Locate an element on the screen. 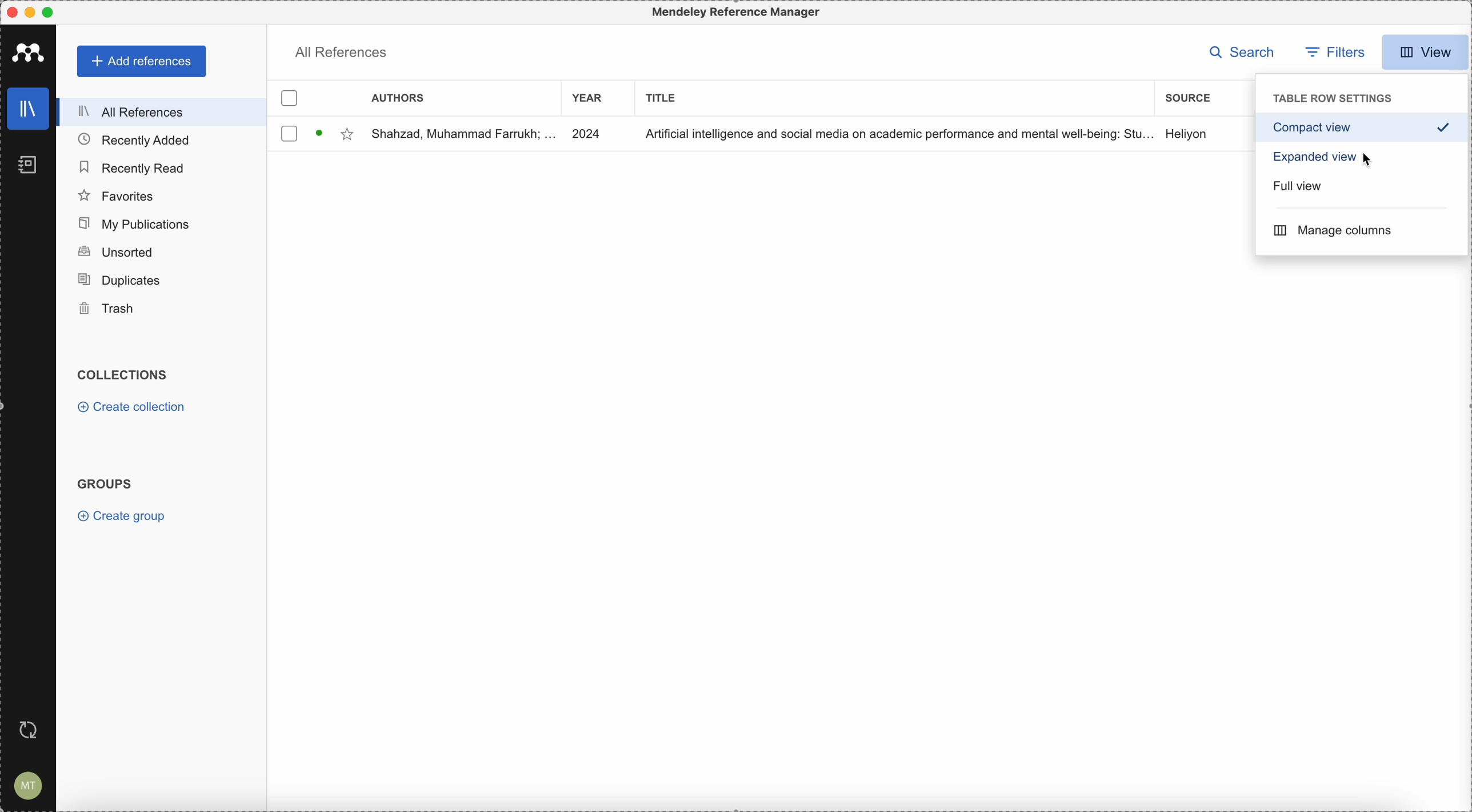  expanded view is located at coordinates (1309, 160).